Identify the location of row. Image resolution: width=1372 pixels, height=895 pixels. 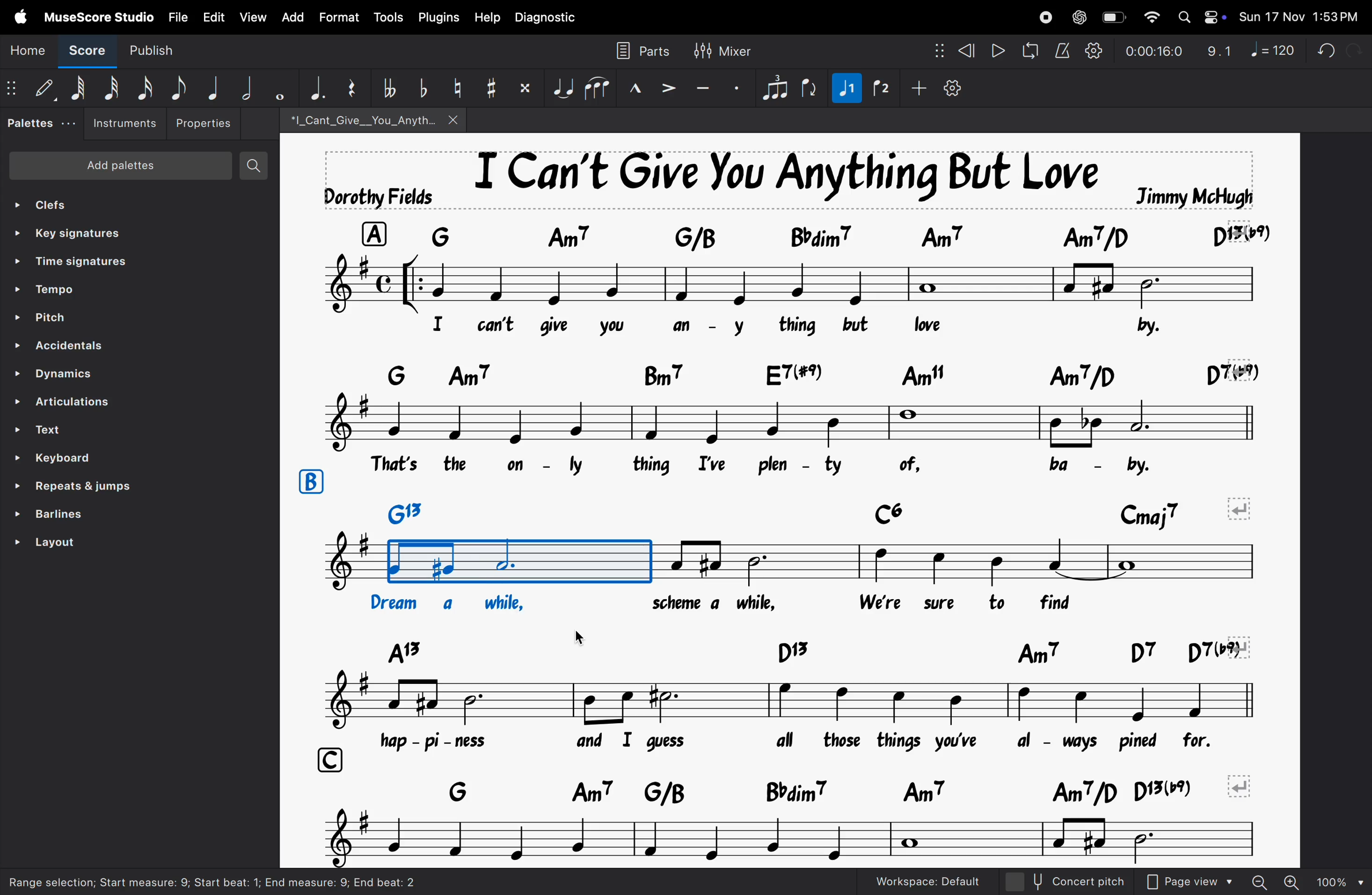
(311, 482).